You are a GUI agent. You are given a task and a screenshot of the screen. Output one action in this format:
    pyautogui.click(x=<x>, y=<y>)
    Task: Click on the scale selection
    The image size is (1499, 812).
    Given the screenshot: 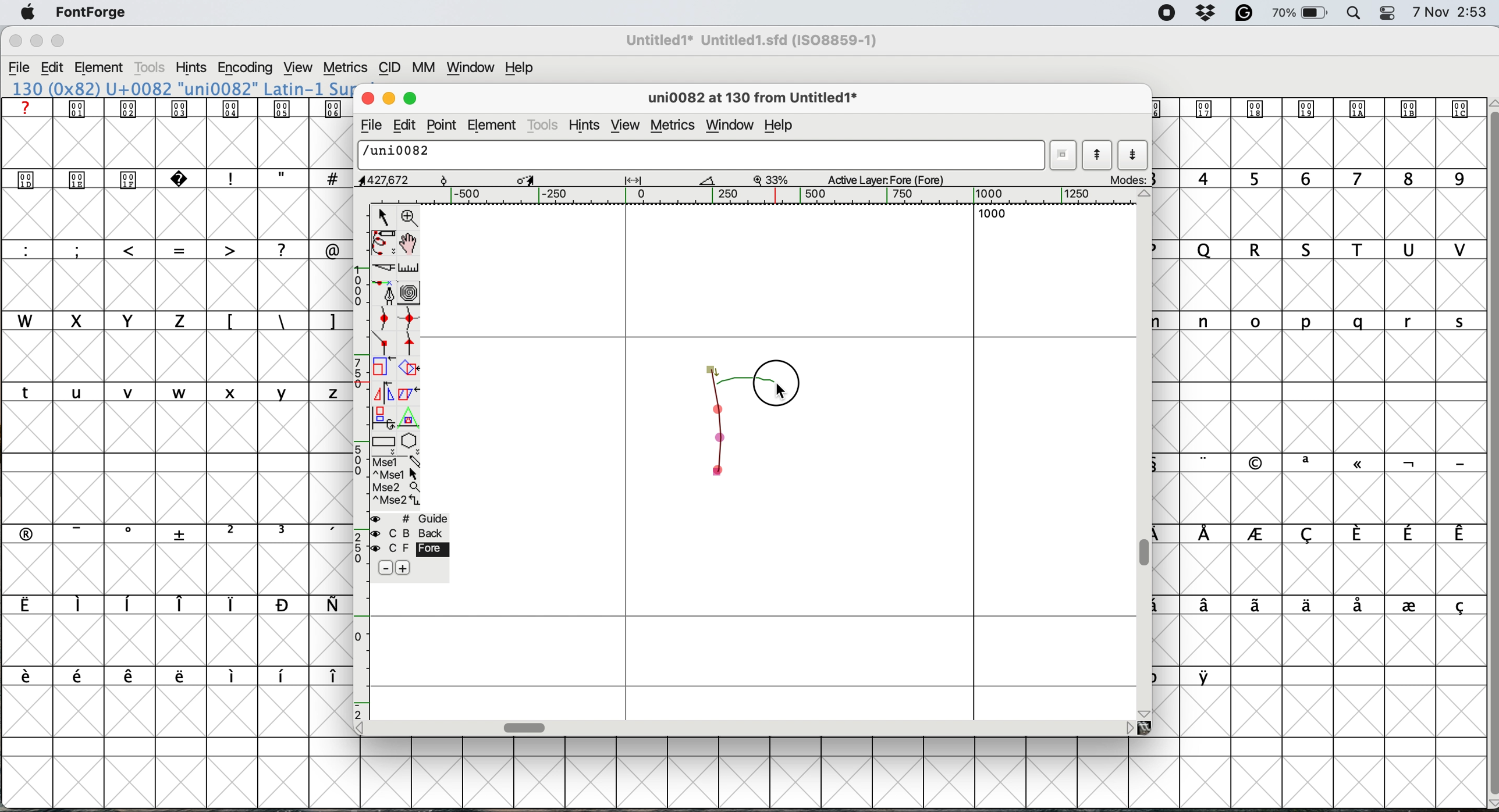 What is the action you would take?
    pyautogui.click(x=383, y=369)
    